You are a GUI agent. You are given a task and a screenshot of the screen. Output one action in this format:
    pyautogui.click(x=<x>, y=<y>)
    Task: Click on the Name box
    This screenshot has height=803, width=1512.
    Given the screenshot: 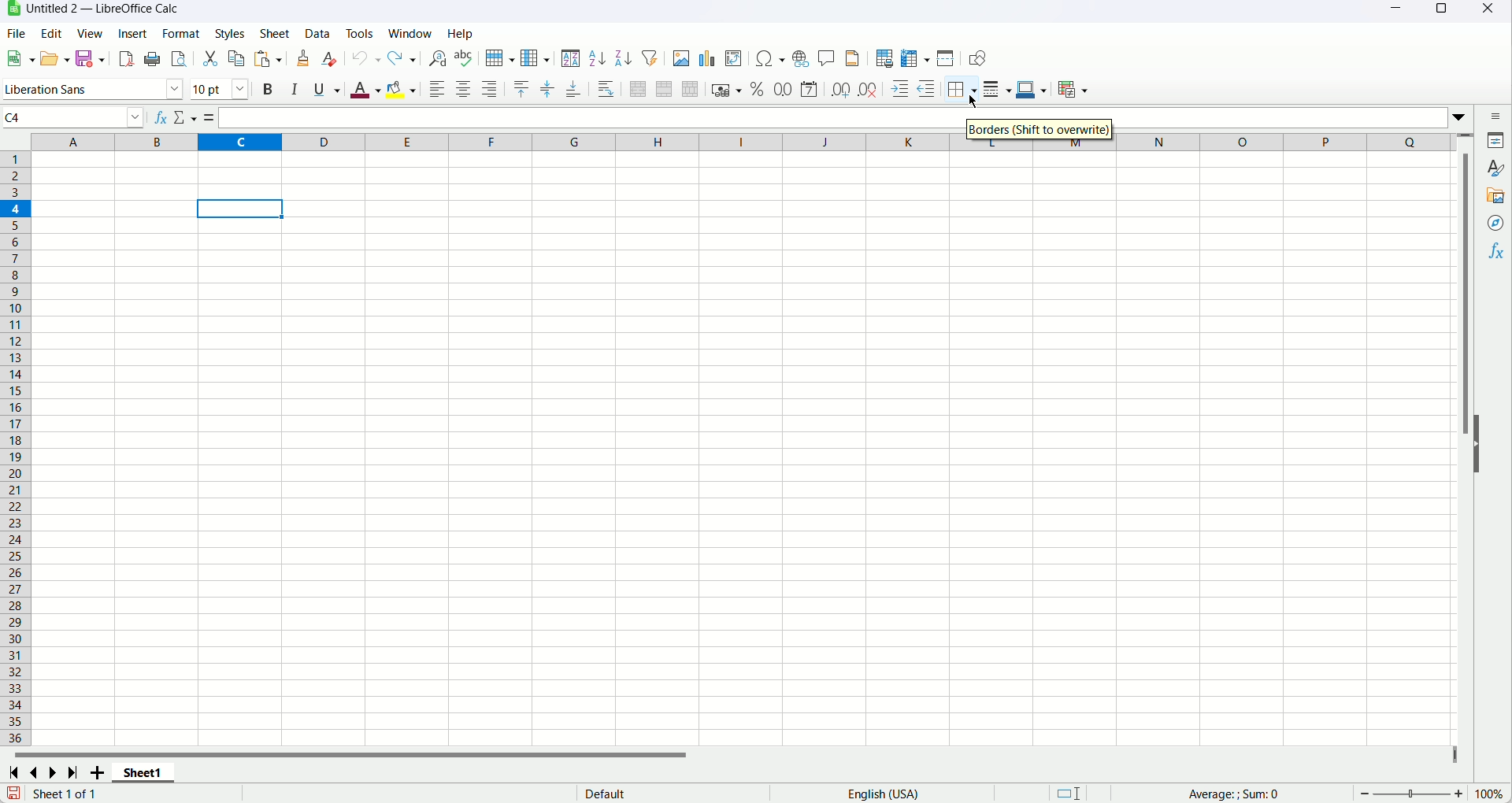 What is the action you would take?
    pyautogui.click(x=75, y=117)
    